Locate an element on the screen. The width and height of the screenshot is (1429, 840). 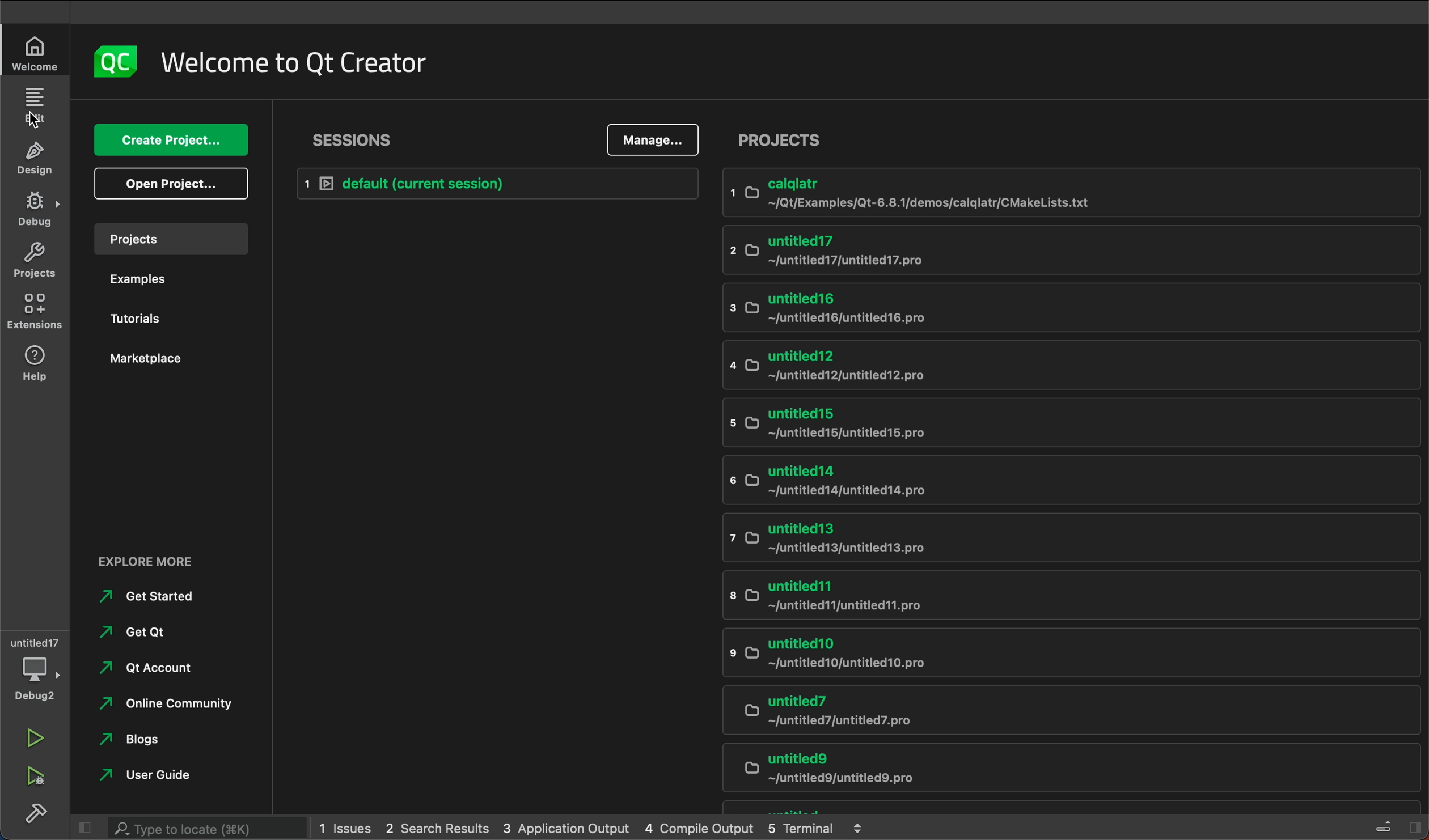
untitled10 is located at coordinates (1045, 653).